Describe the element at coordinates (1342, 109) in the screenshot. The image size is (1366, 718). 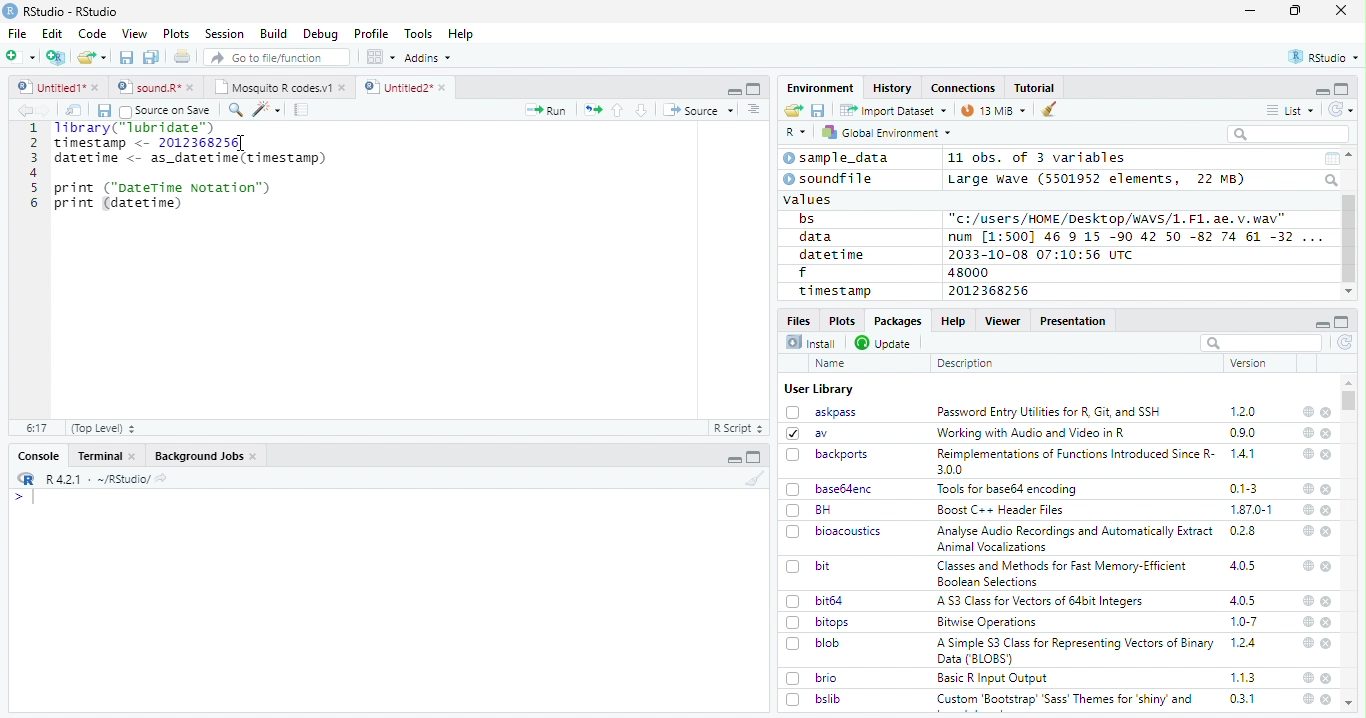
I see `Refresh` at that location.